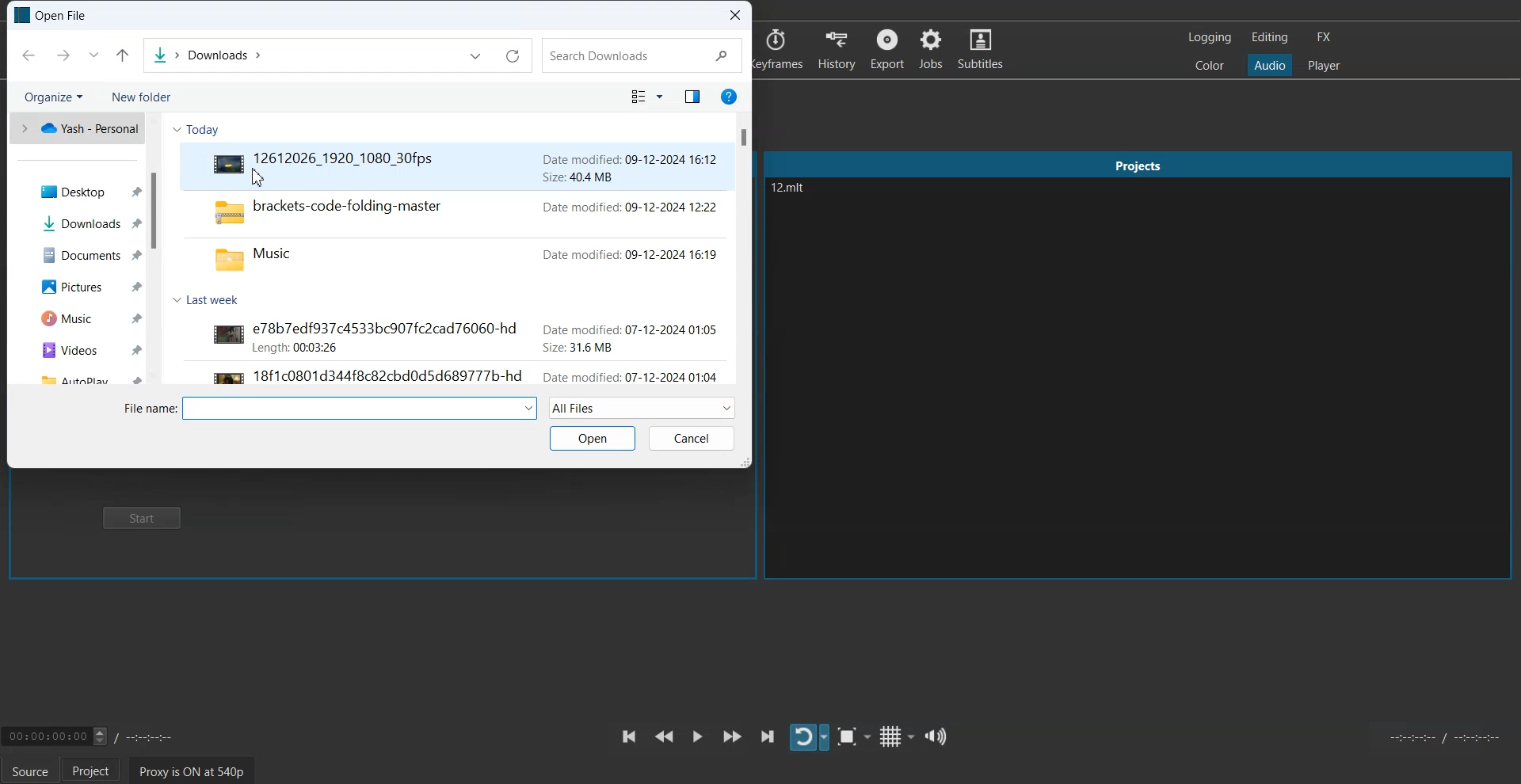 The height and width of the screenshot is (784, 1521). Describe the element at coordinates (53, 97) in the screenshot. I see `Organize` at that location.